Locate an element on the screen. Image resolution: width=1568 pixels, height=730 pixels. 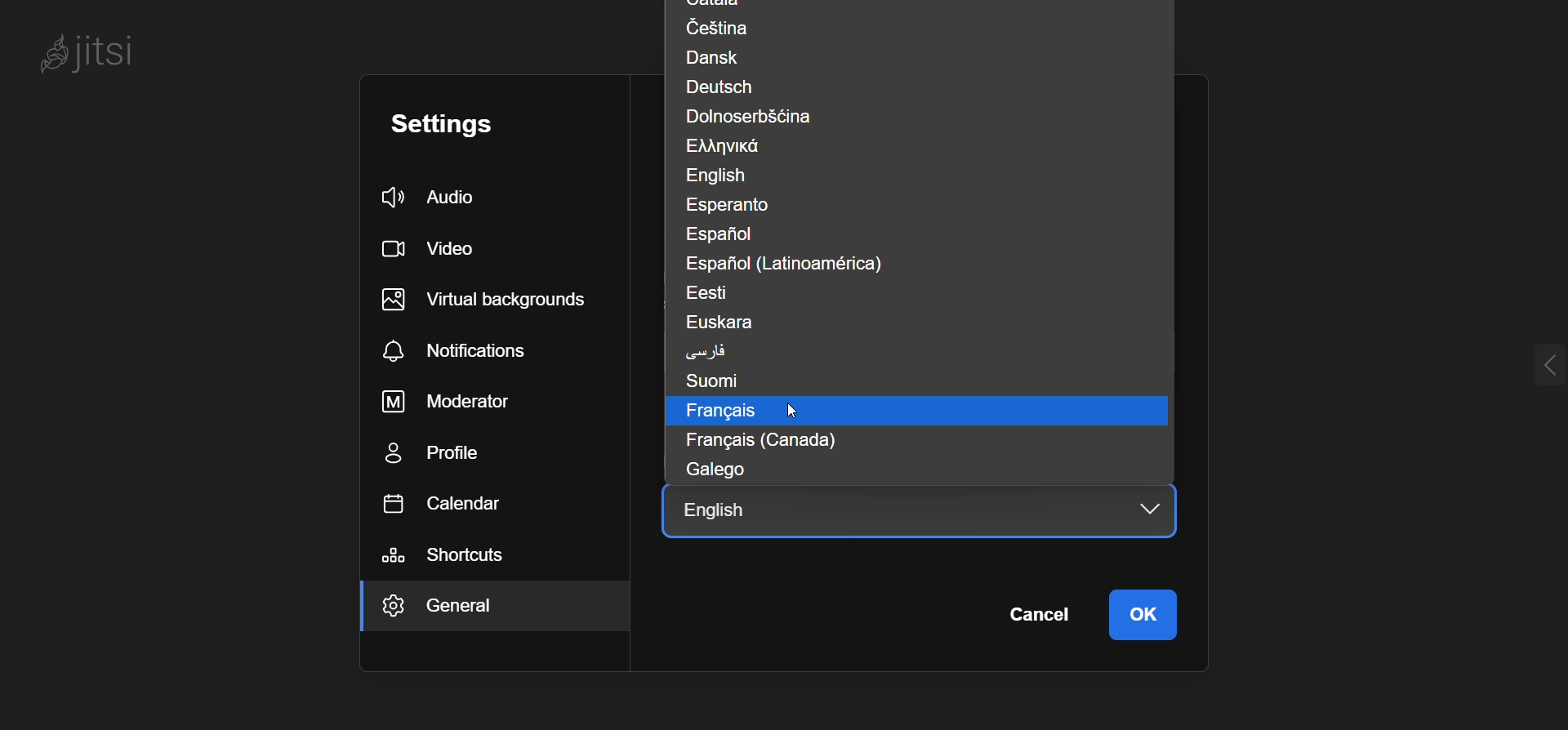
Expand is located at coordinates (1524, 367).